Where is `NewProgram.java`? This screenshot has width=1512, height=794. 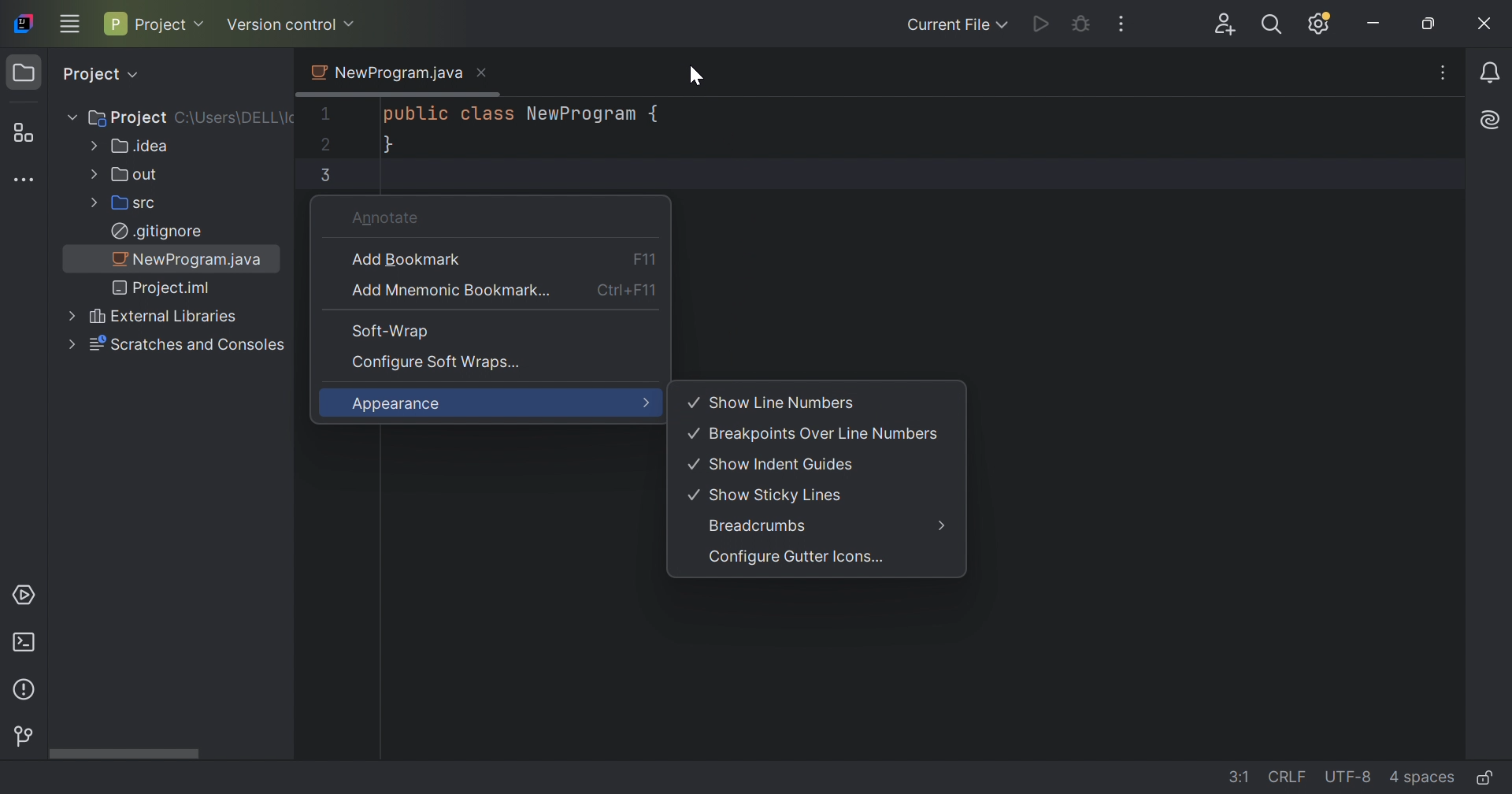 NewProgram.java is located at coordinates (384, 72).